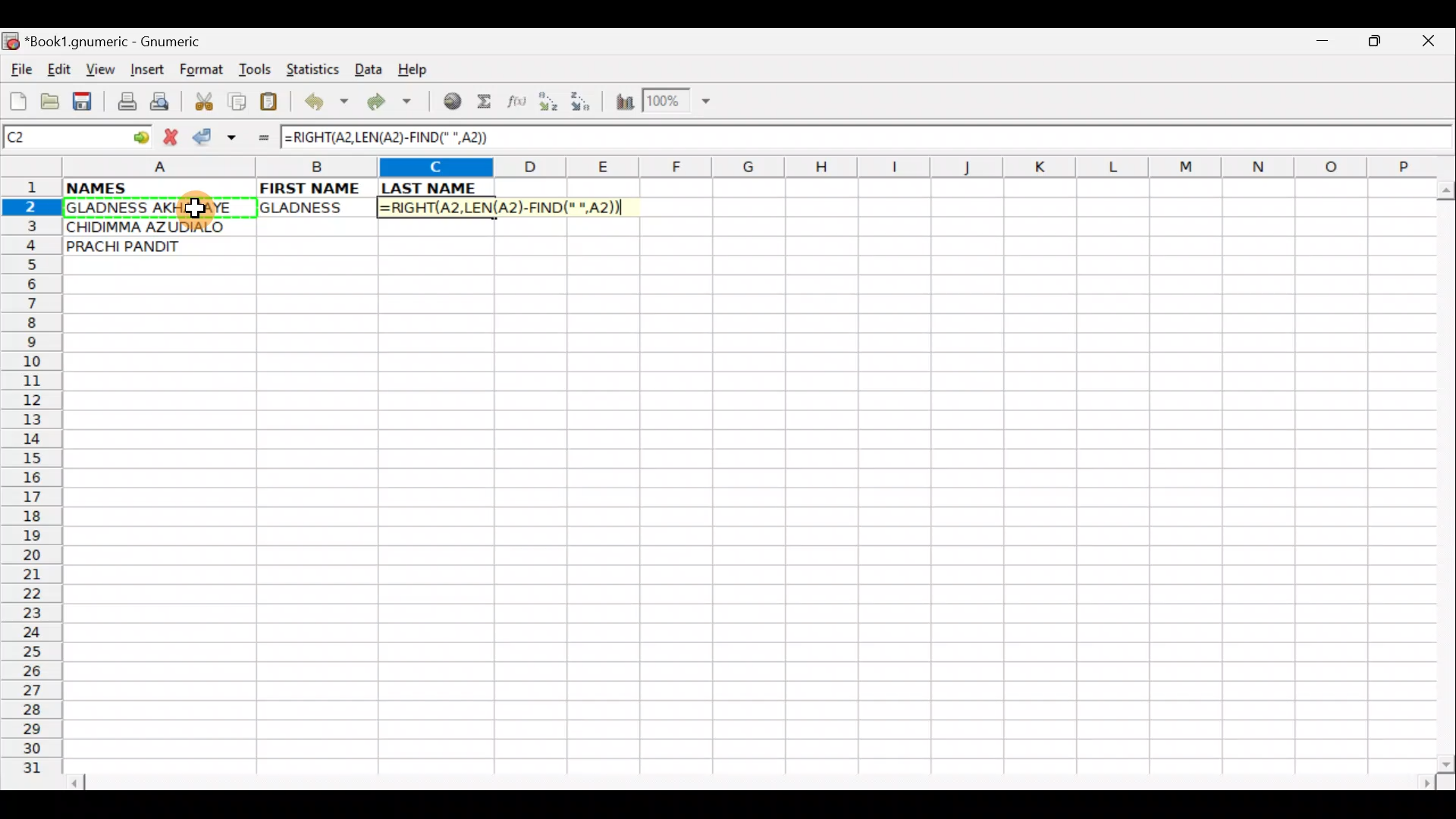 The height and width of the screenshot is (819, 1456). I want to click on Scroll bar, so click(1442, 473).